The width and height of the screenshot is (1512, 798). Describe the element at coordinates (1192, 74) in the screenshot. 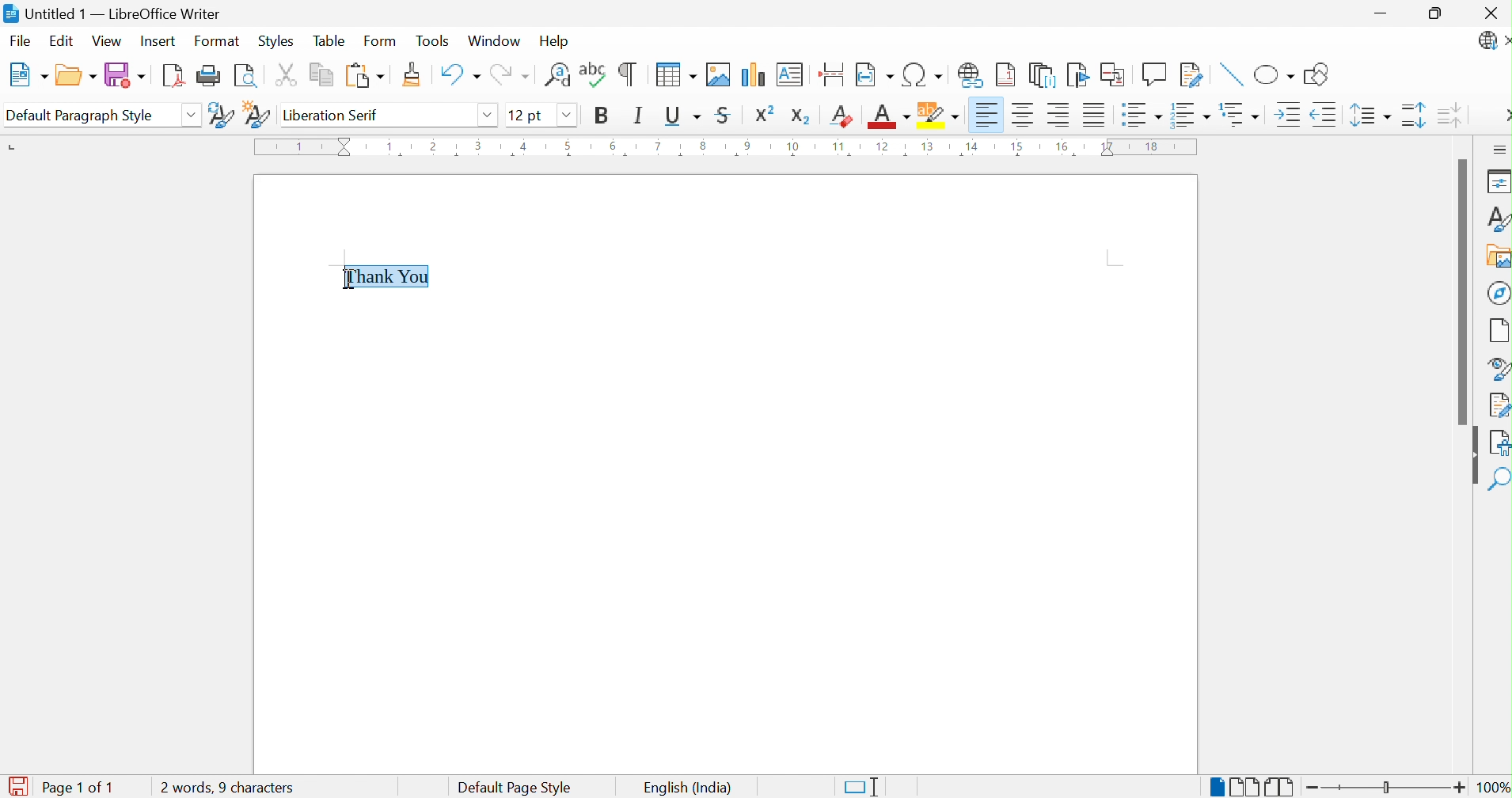

I see `Show Track Changes Functions` at that location.